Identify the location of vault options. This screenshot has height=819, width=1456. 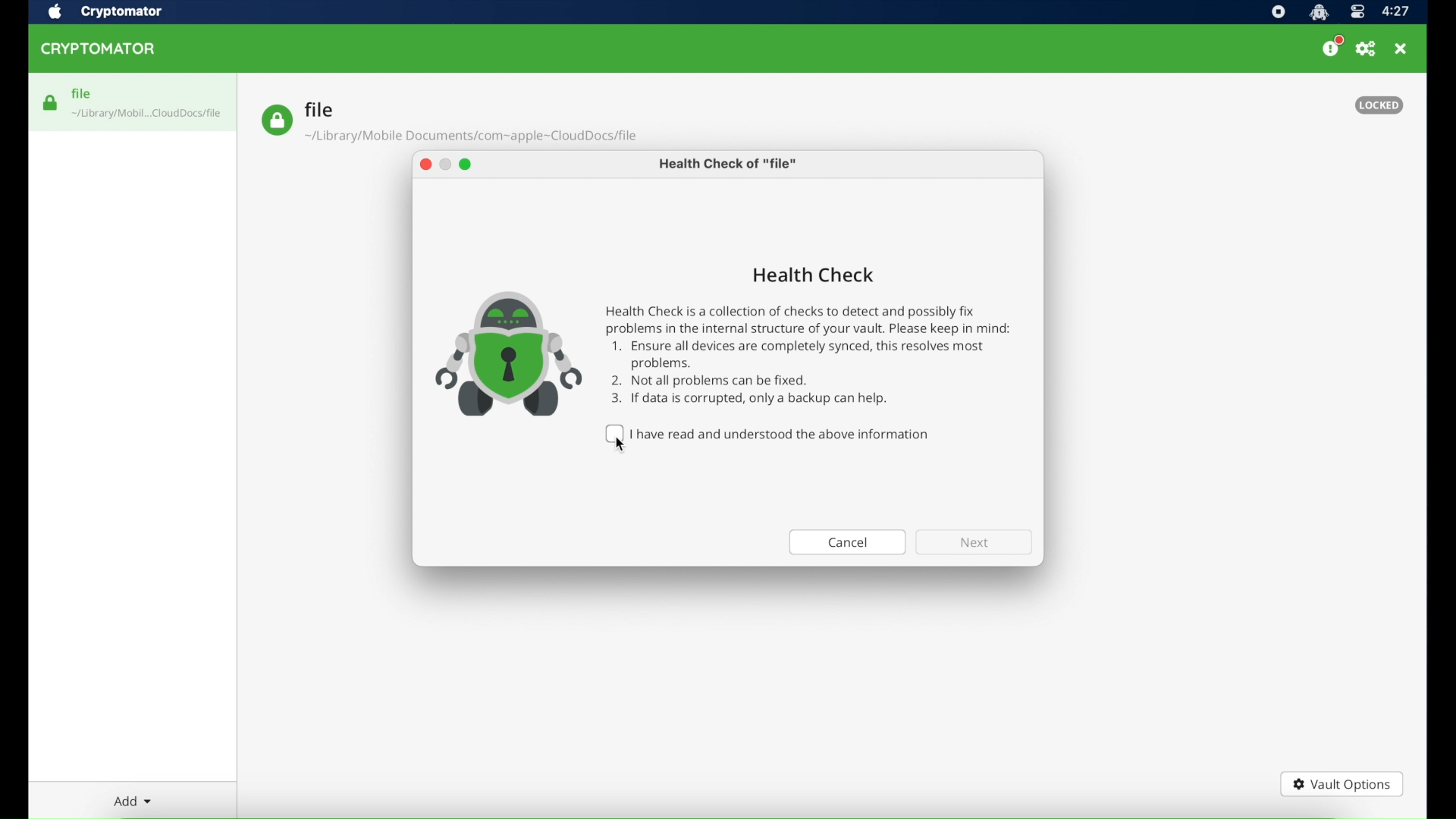
(1342, 784).